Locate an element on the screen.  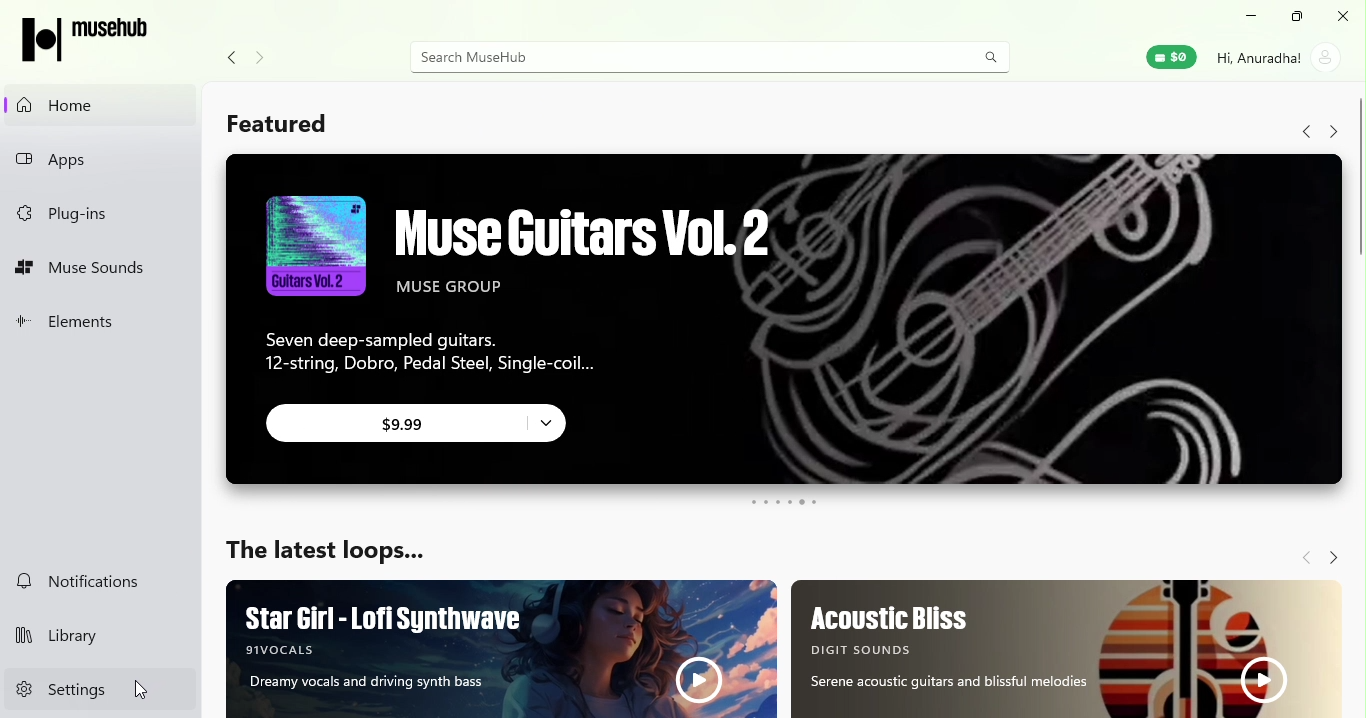
swipe buttons is located at coordinates (783, 502).